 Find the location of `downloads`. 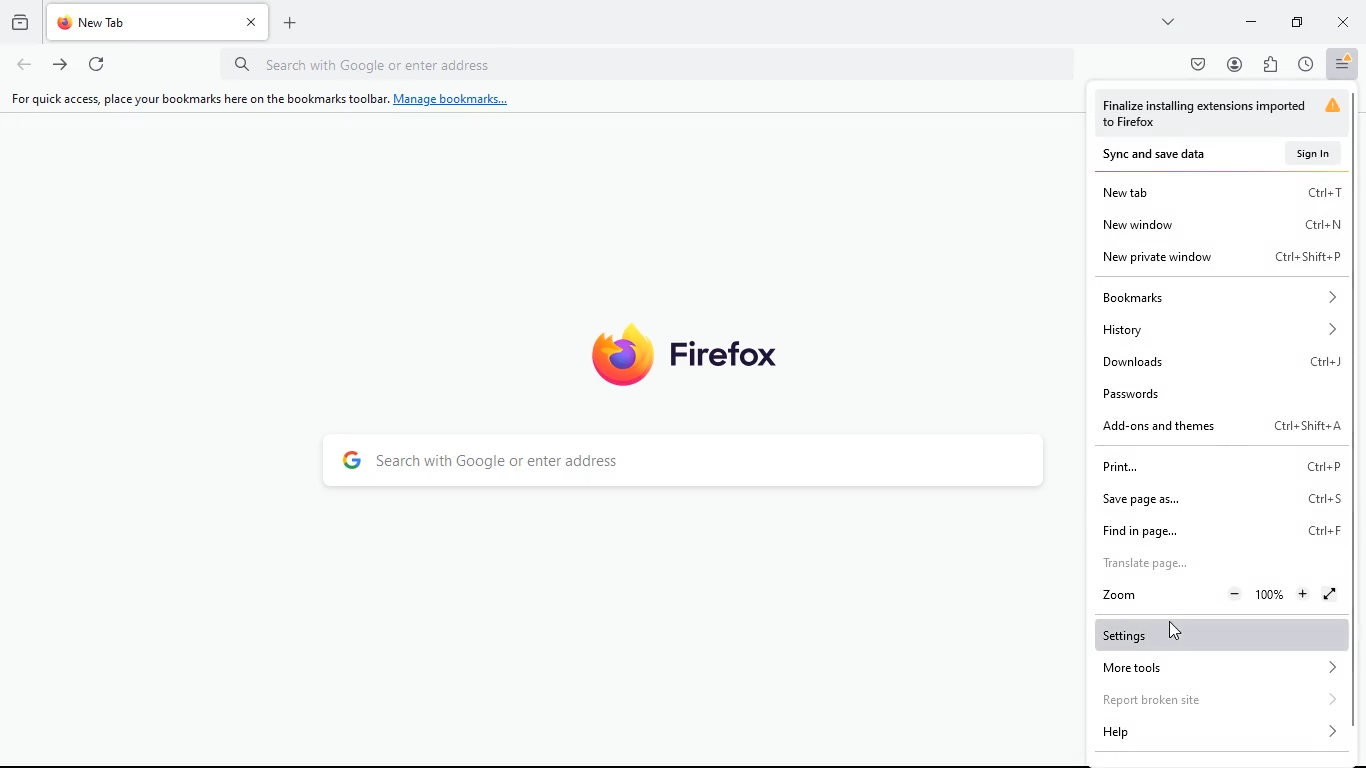

downloads is located at coordinates (1223, 359).